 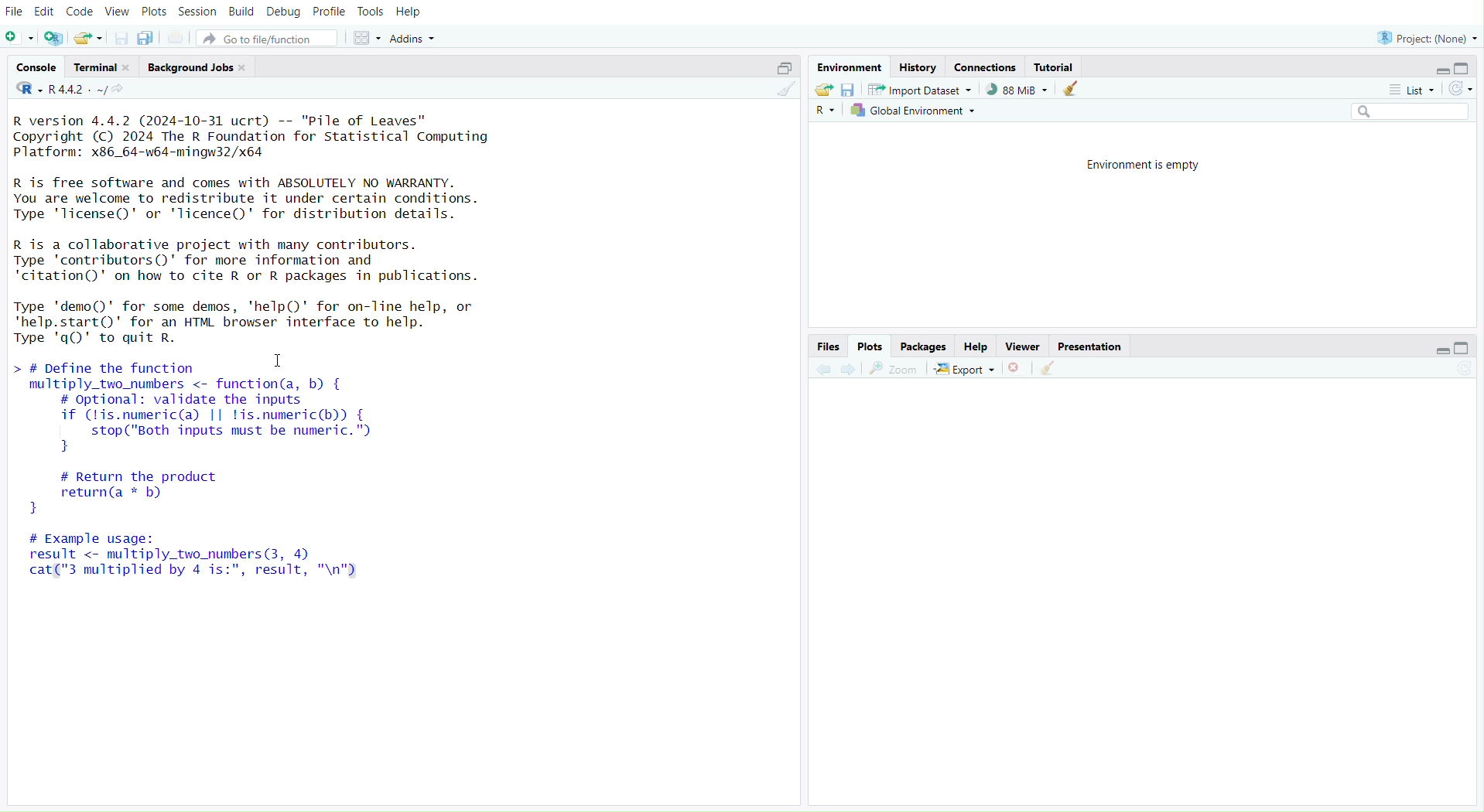 I want to click on Maximize, so click(x=781, y=70).